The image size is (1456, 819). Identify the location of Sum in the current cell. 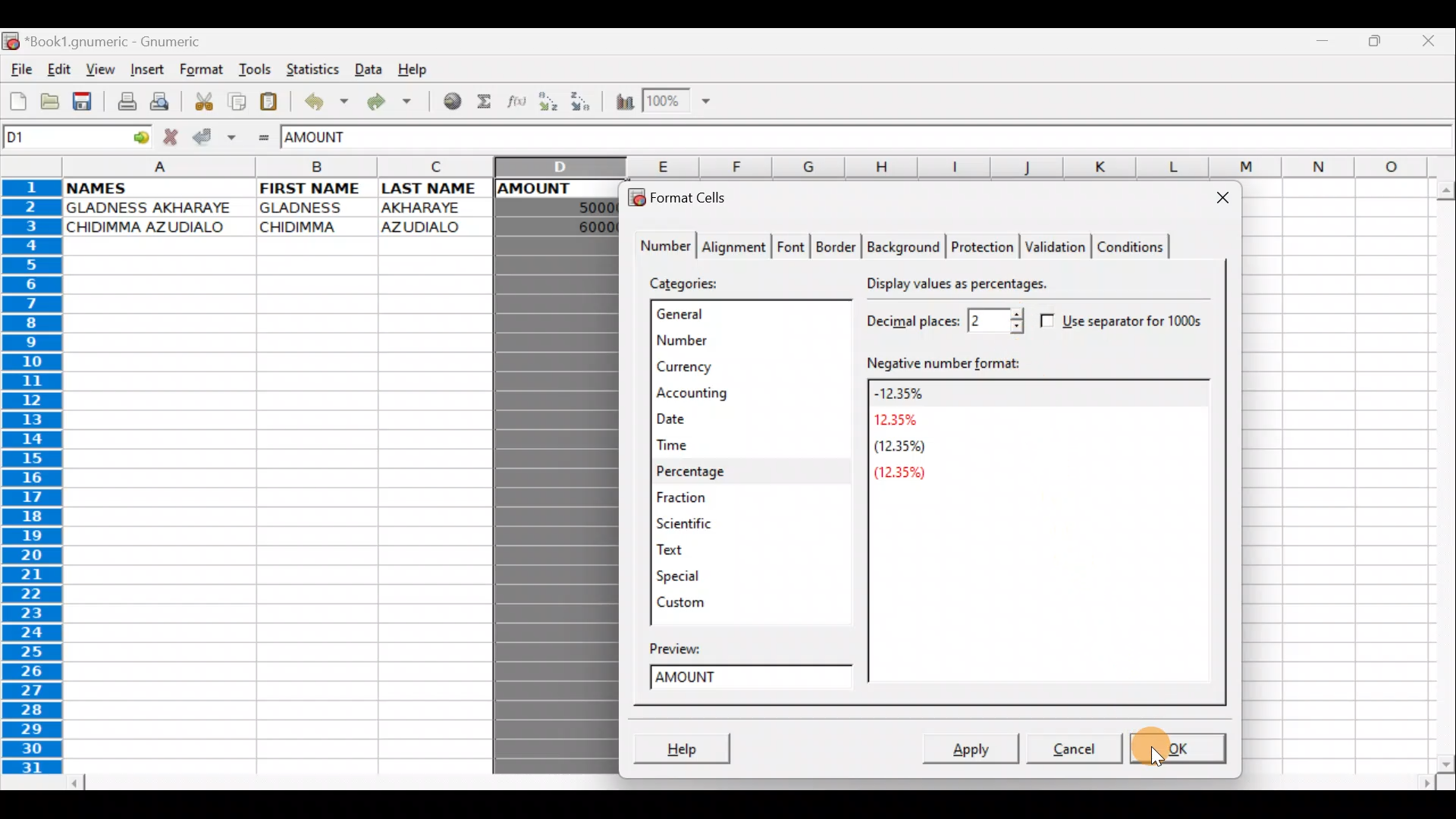
(485, 102).